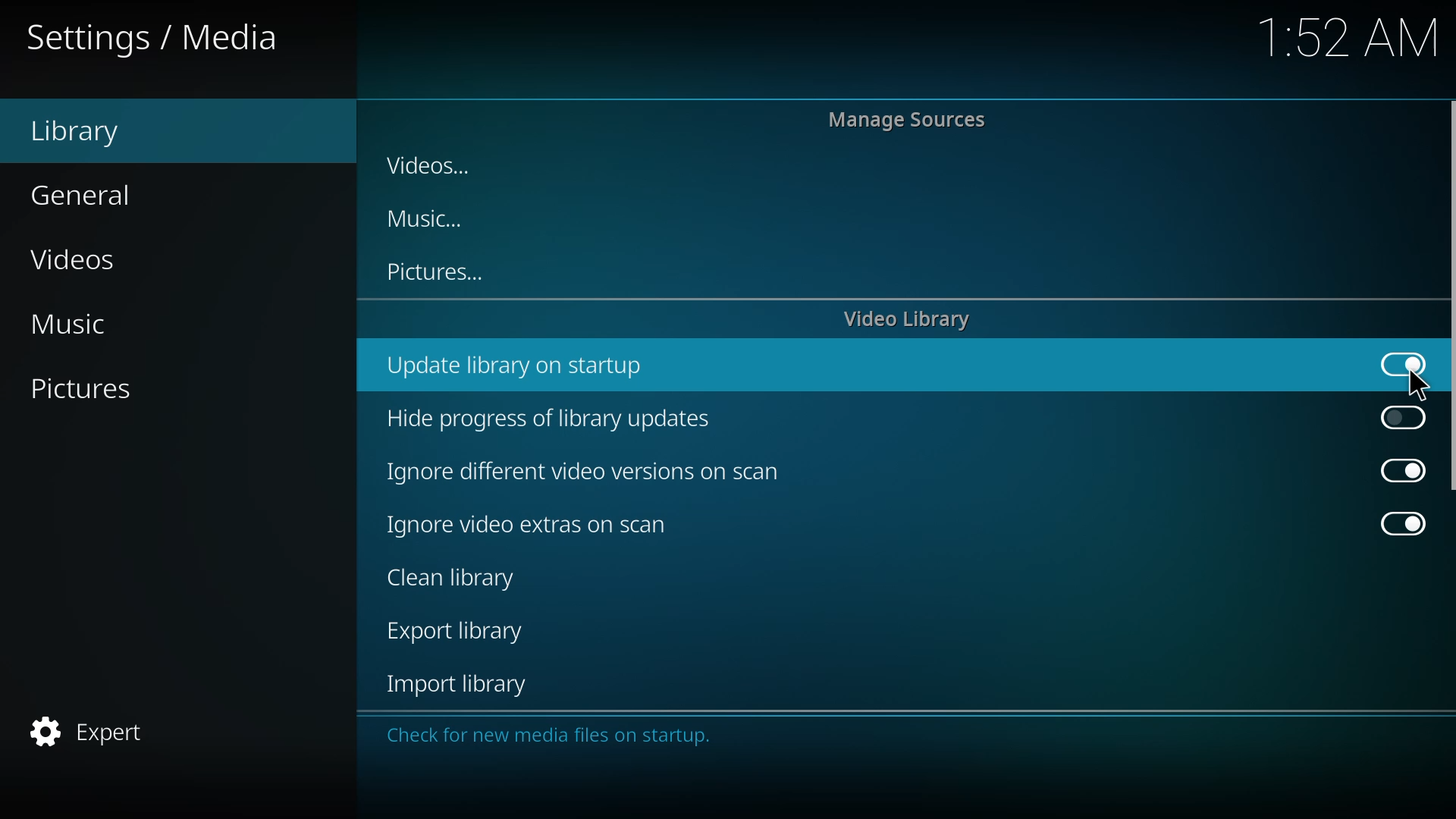 The width and height of the screenshot is (1456, 819). I want to click on import library, so click(464, 684).